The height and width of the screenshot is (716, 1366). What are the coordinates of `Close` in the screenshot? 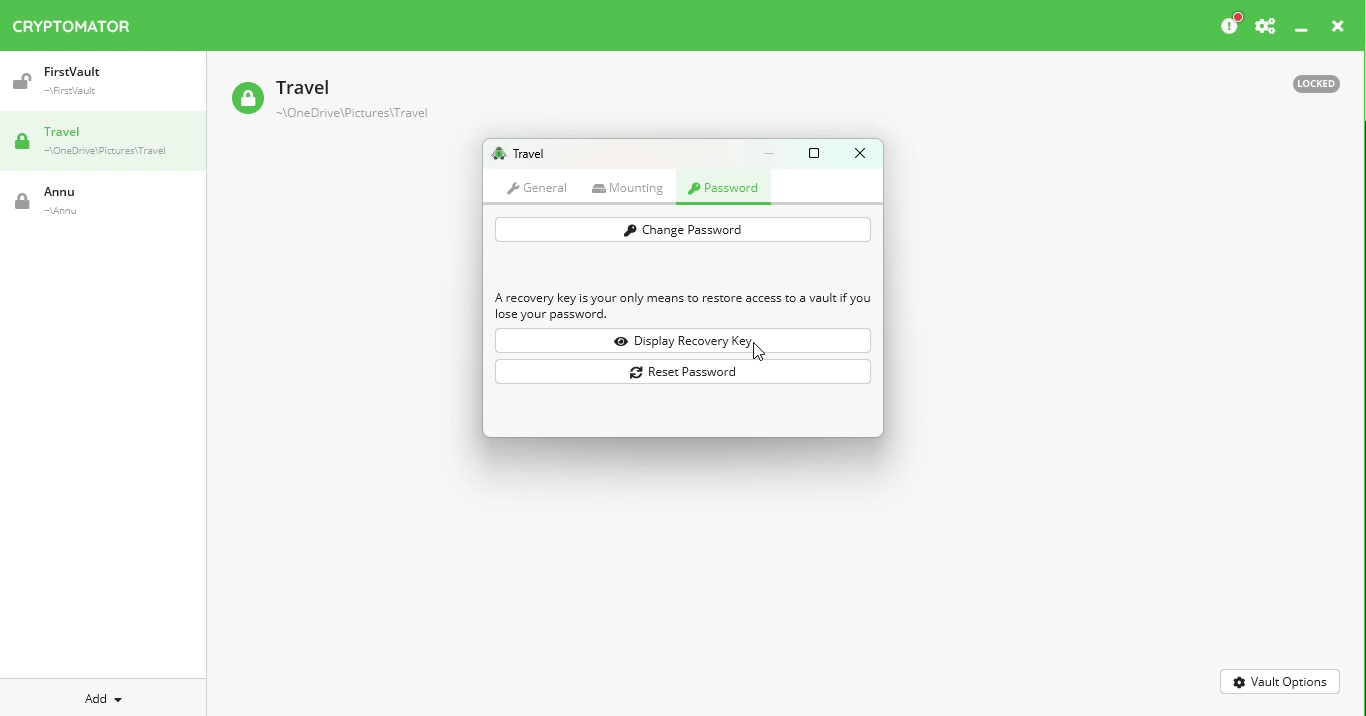 It's located at (1338, 29).